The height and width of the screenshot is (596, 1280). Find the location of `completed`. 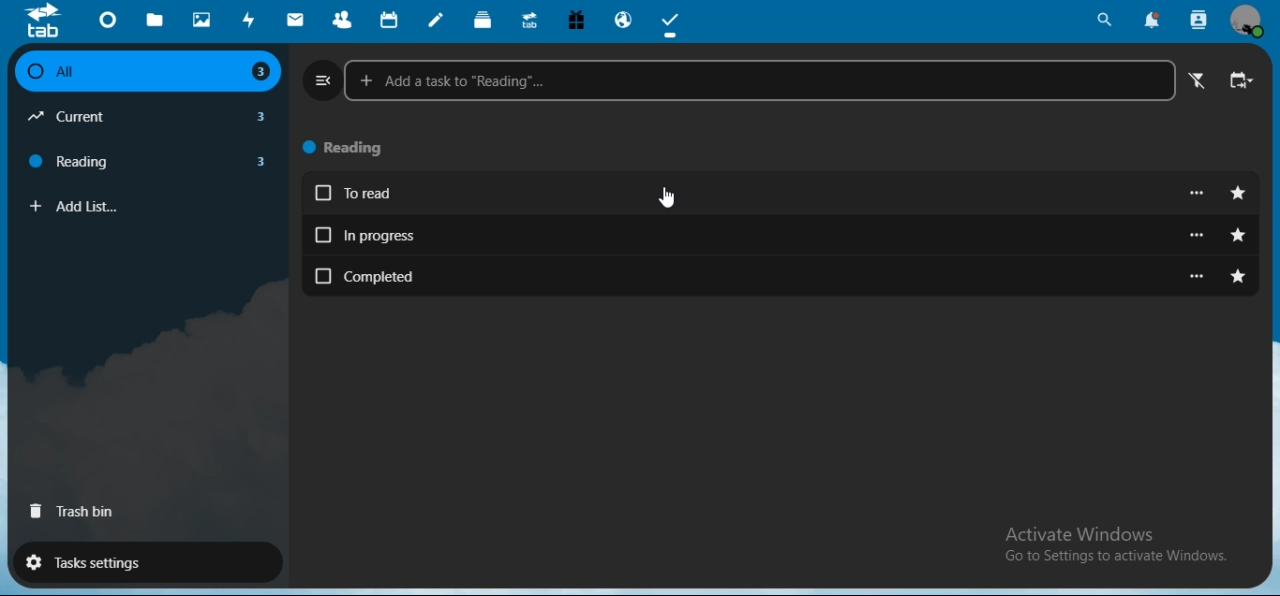

completed is located at coordinates (750, 275).